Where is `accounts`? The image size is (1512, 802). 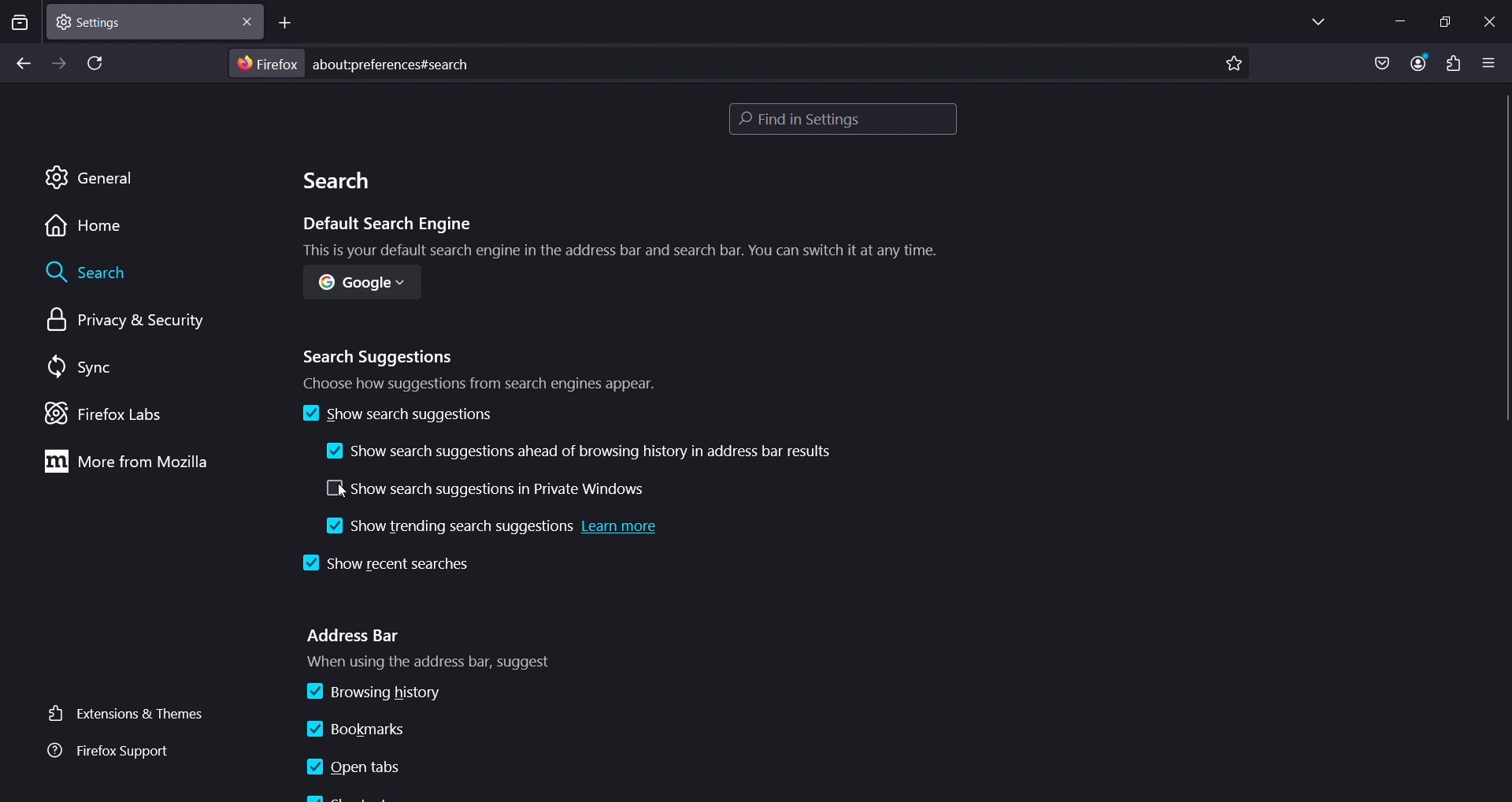 accounts is located at coordinates (1422, 64).